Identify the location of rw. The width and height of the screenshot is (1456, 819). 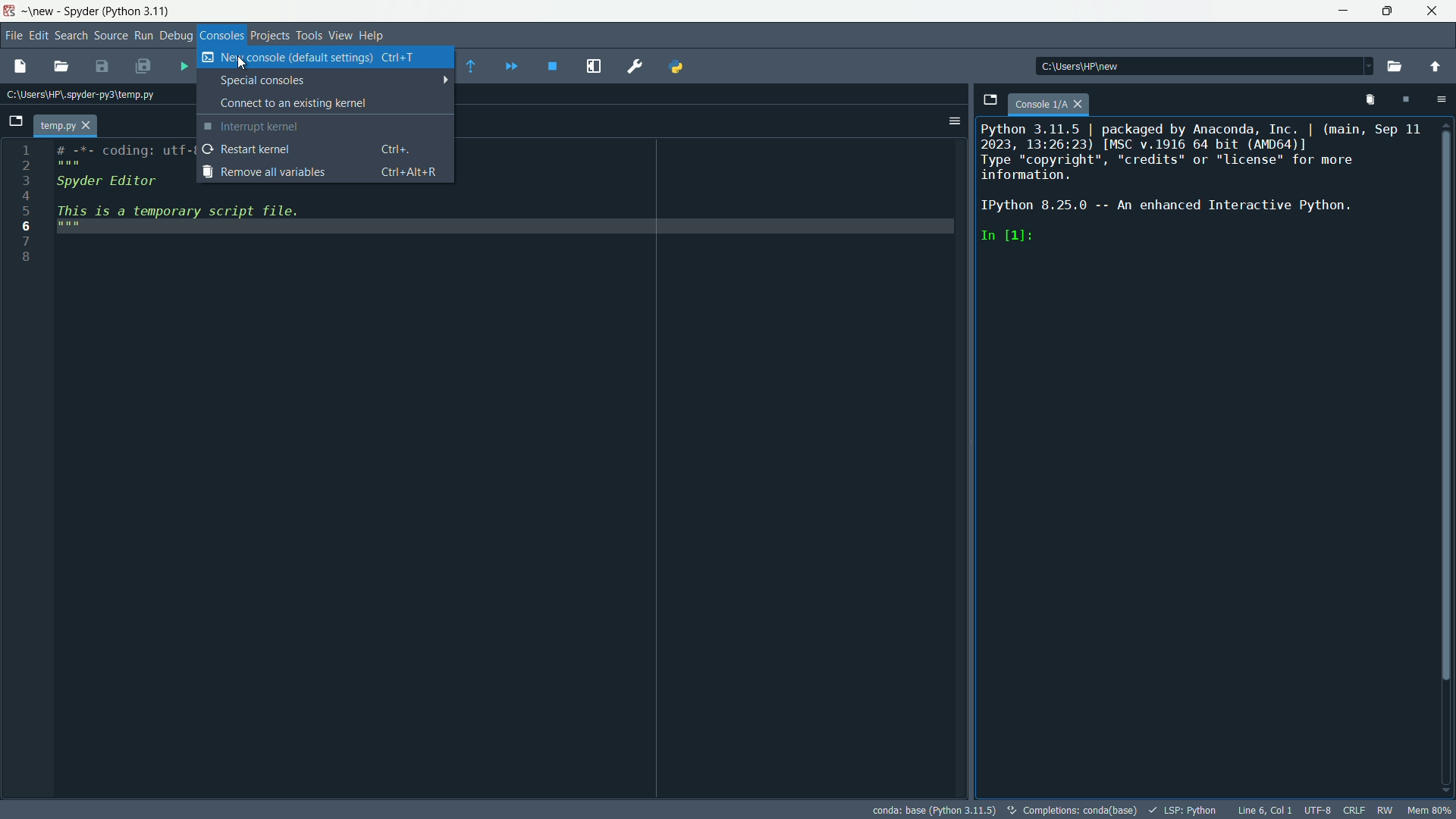
(1386, 808).